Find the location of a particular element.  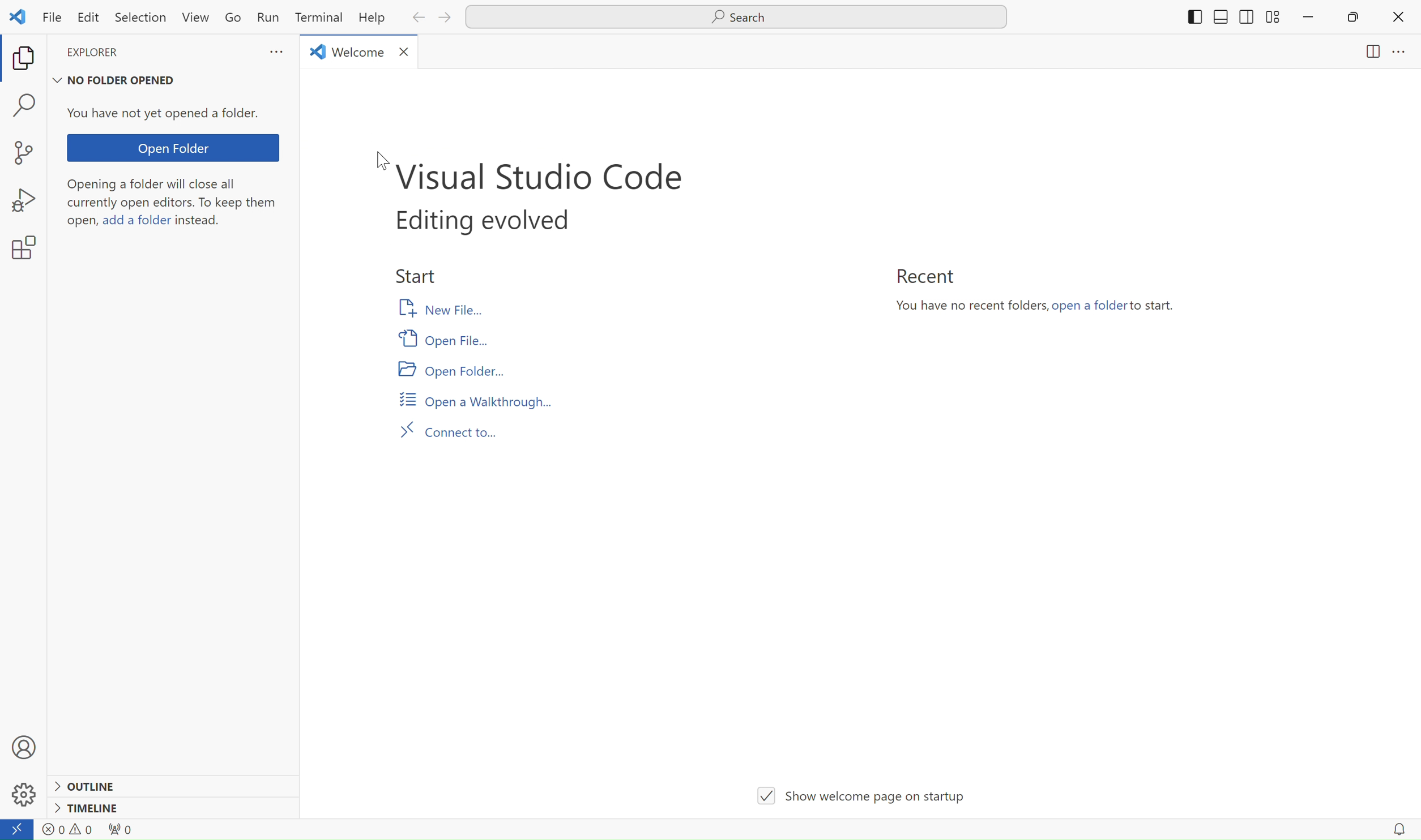

shift to sides is located at coordinates (1224, 16).